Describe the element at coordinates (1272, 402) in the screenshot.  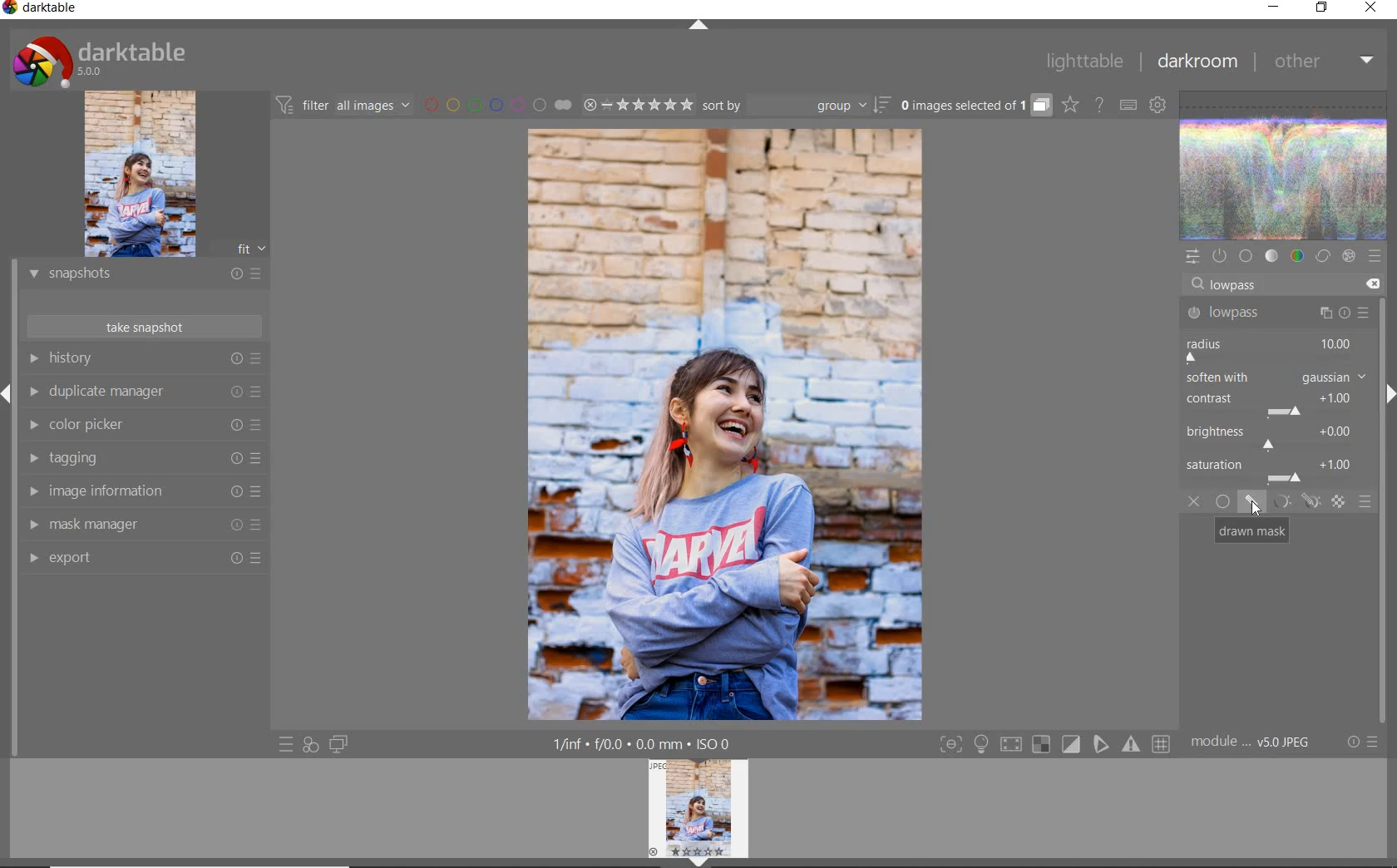
I see `contrast` at that location.